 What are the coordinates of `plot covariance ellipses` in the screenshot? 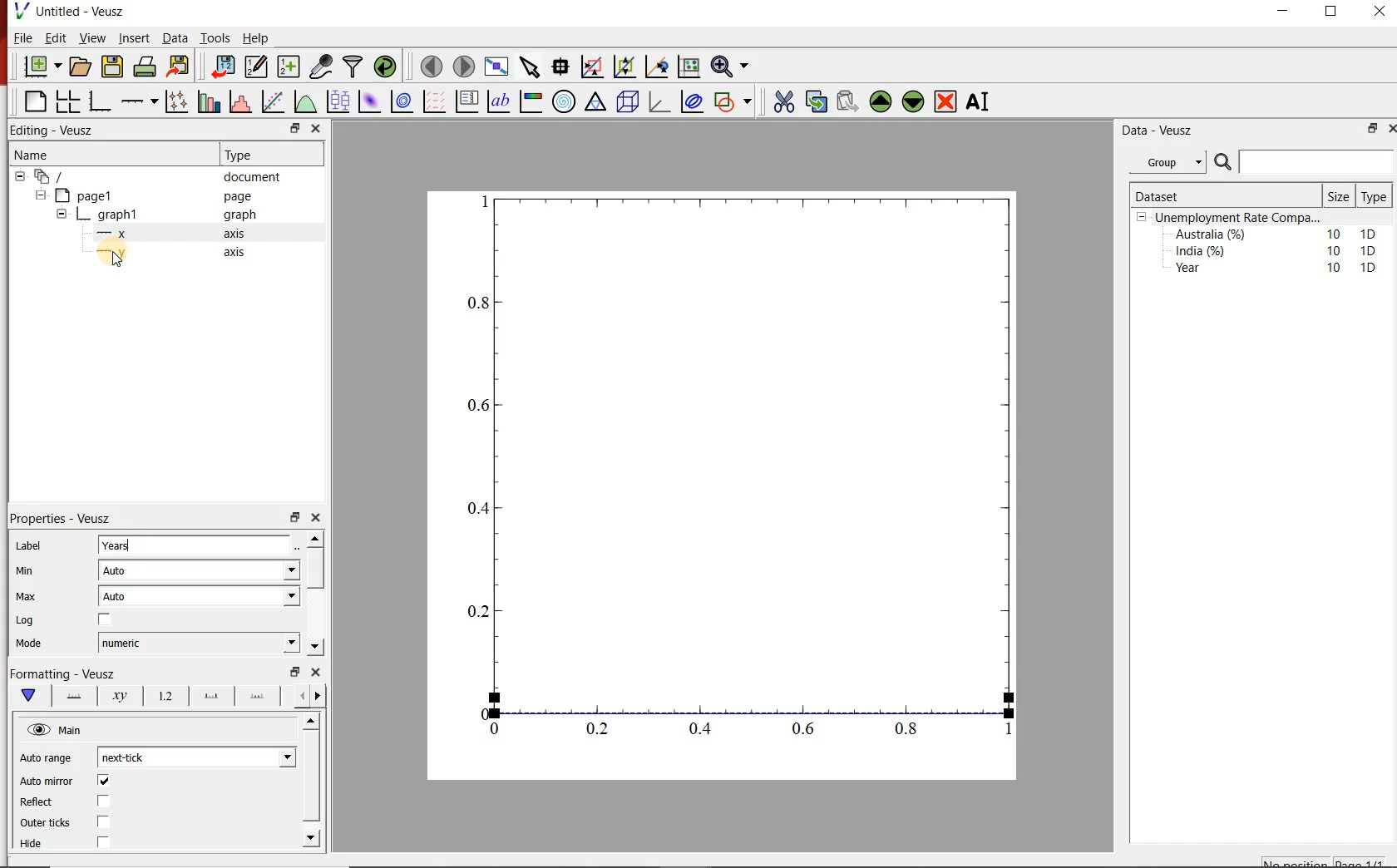 It's located at (693, 101).